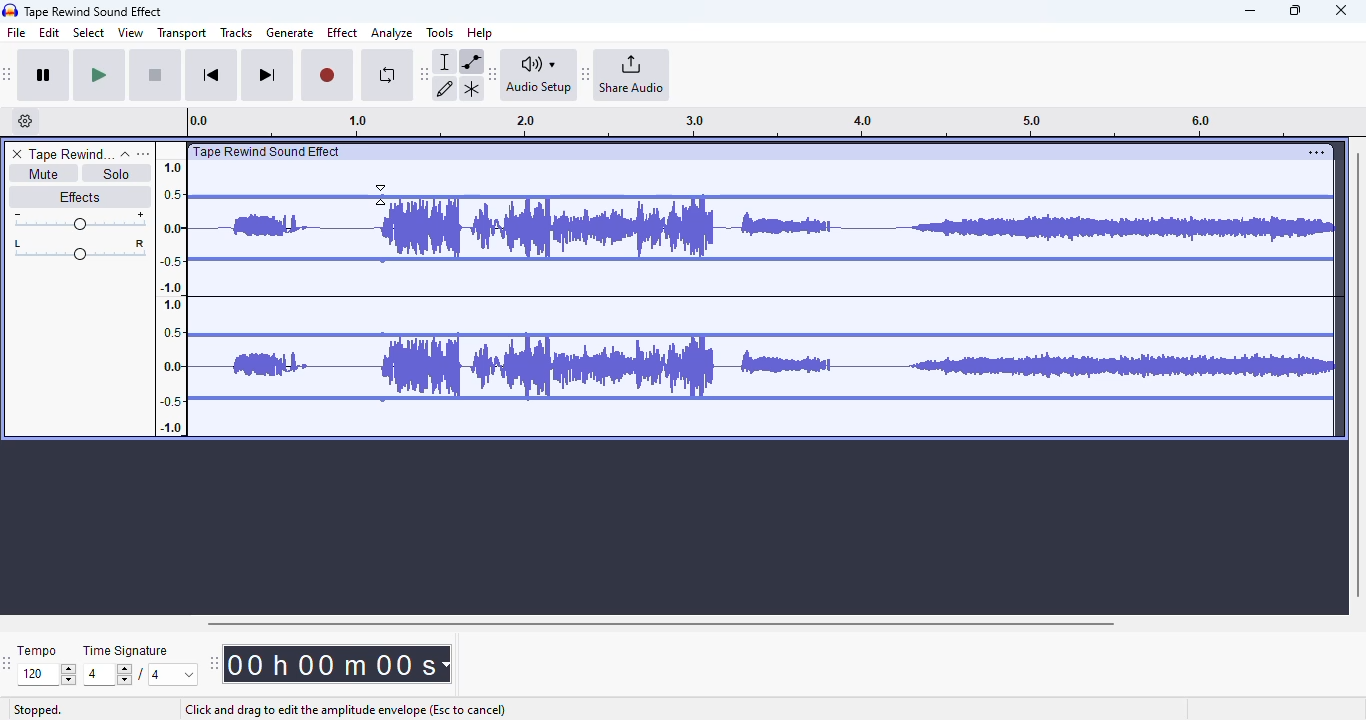  Describe the element at coordinates (71, 155) in the screenshot. I see `track name` at that location.